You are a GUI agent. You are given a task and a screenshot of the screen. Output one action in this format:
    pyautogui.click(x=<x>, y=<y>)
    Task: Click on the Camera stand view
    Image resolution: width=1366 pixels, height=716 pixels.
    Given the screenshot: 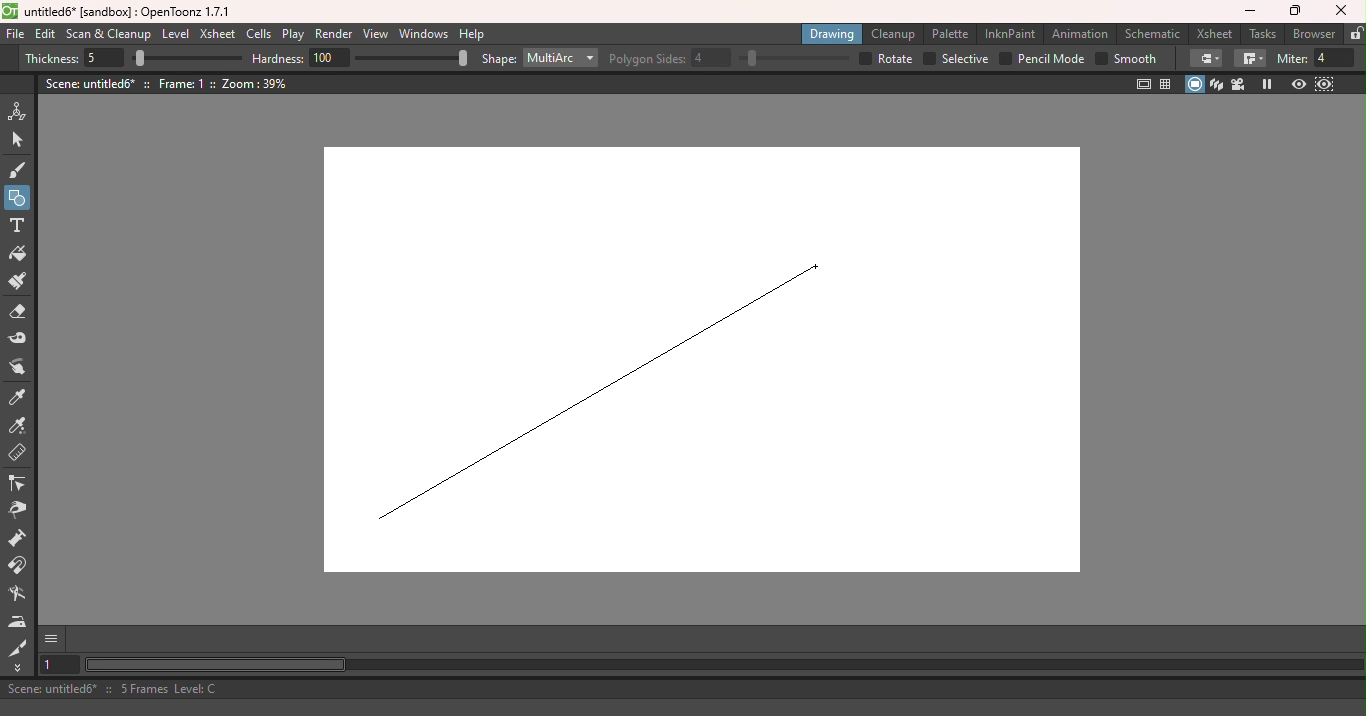 What is the action you would take?
    pyautogui.click(x=1195, y=84)
    